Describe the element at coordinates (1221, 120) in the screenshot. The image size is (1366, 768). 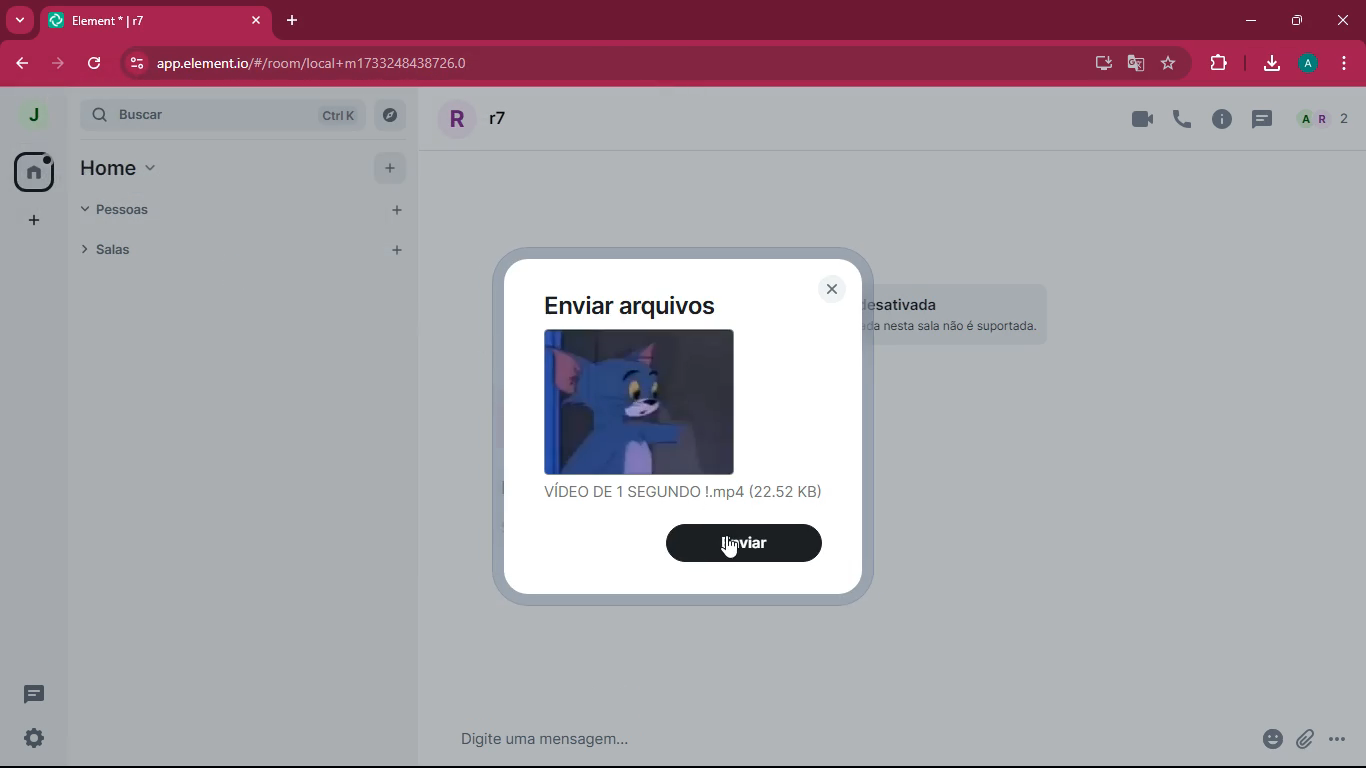
I see `info` at that location.